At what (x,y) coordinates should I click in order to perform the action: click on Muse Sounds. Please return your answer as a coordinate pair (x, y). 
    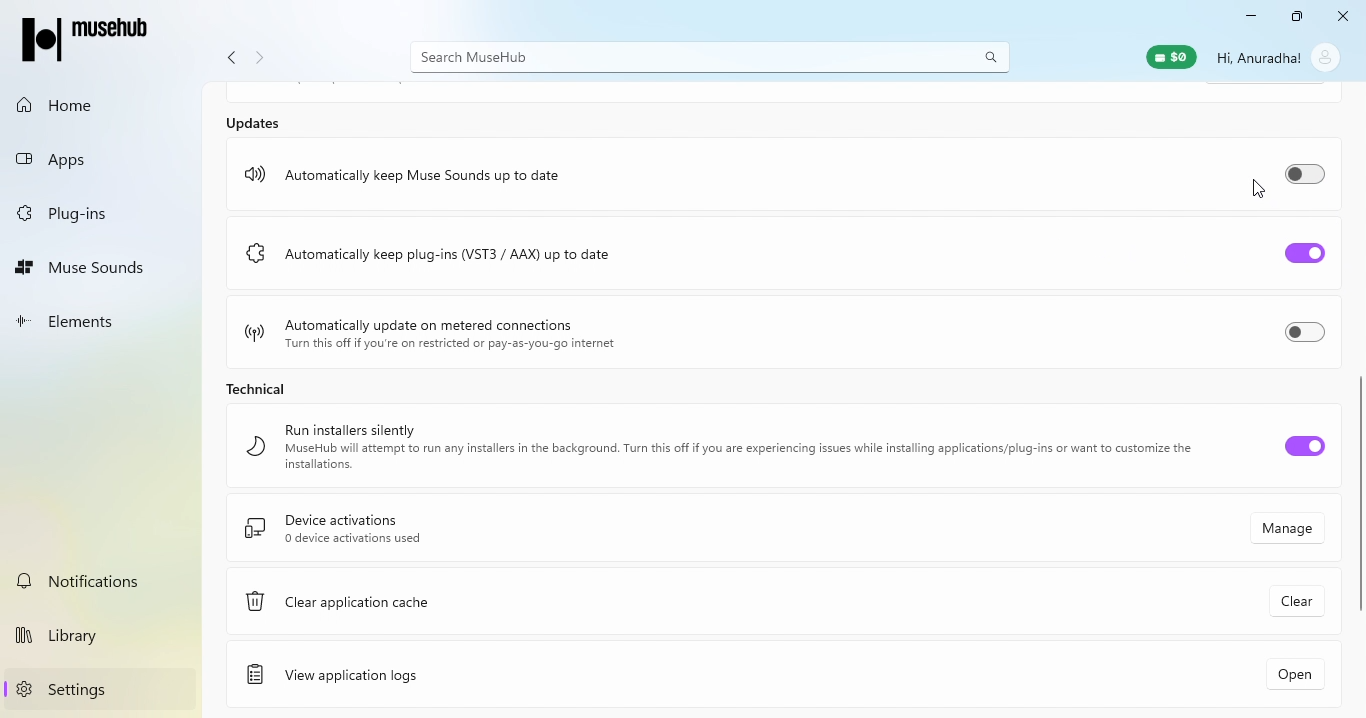
    Looking at the image, I should click on (92, 263).